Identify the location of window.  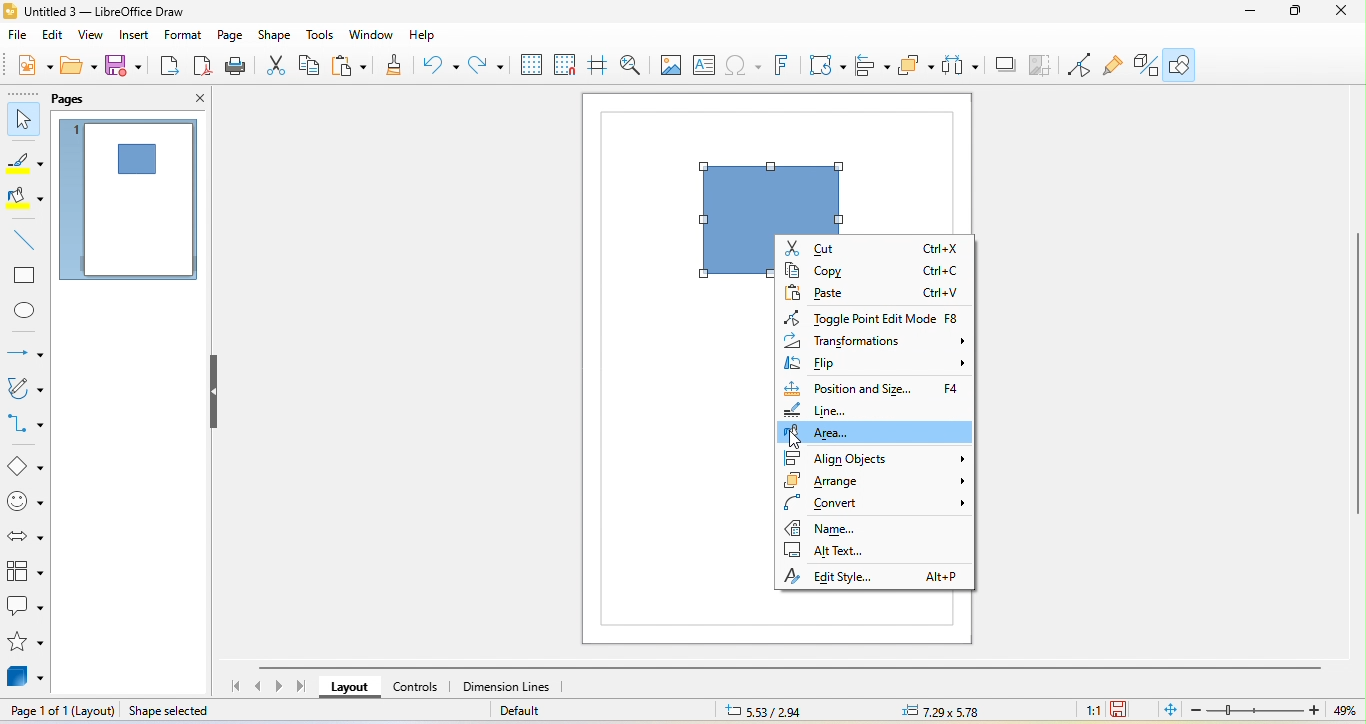
(374, 35).